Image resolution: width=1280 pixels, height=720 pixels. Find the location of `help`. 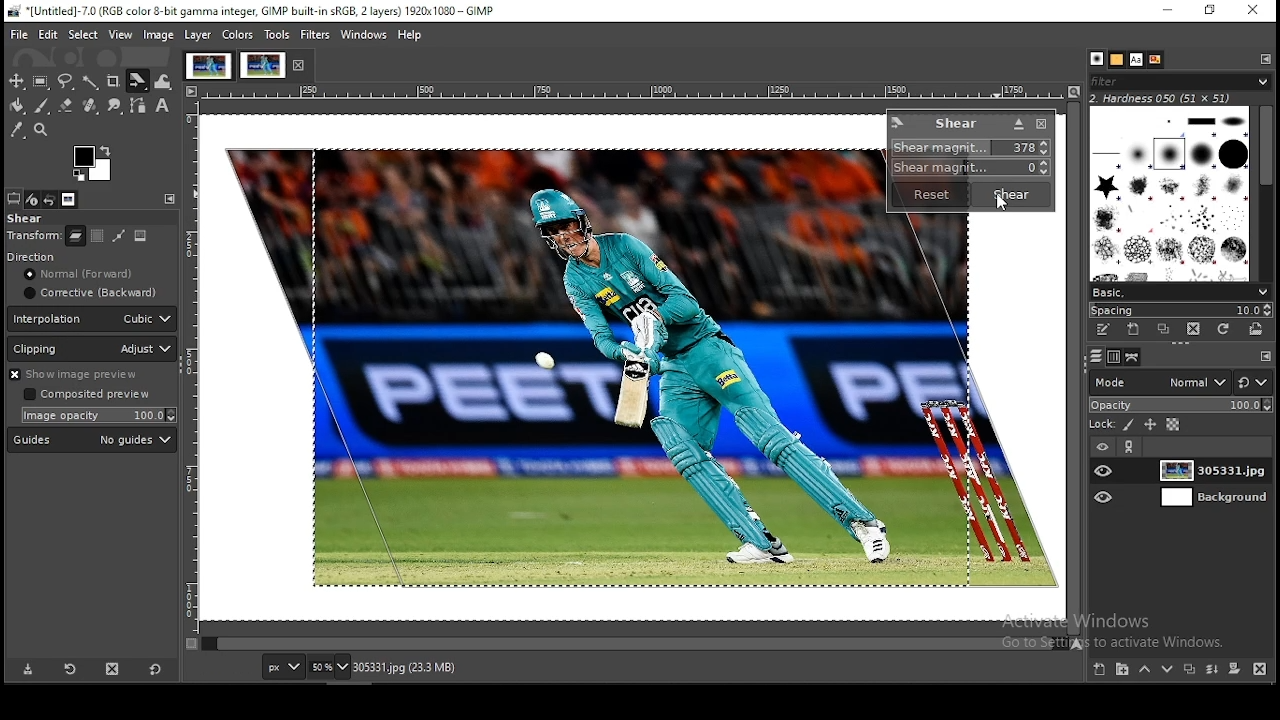

help is located at coordinates (411, 35).